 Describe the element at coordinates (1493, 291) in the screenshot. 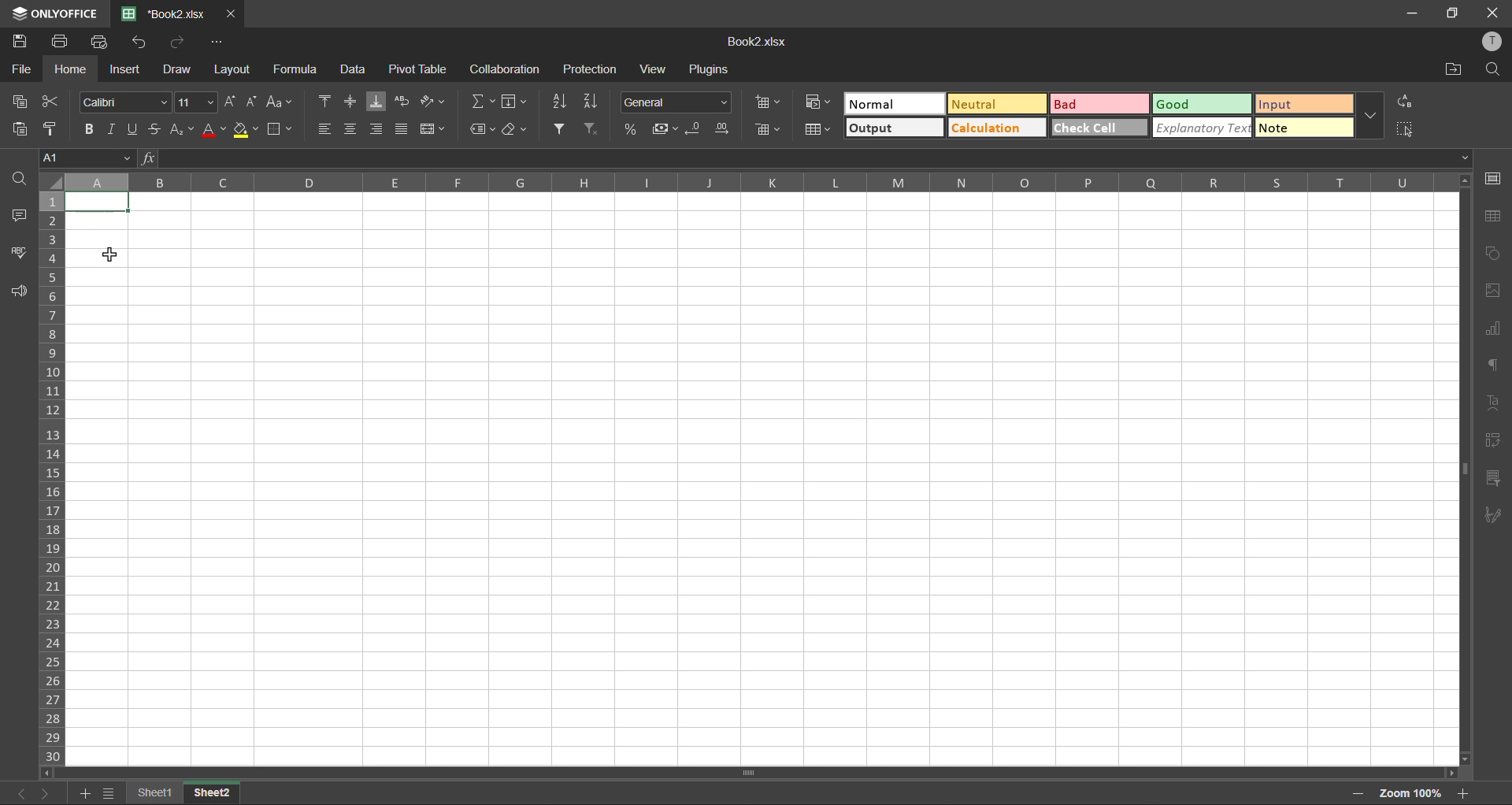

I see `images` at that location.